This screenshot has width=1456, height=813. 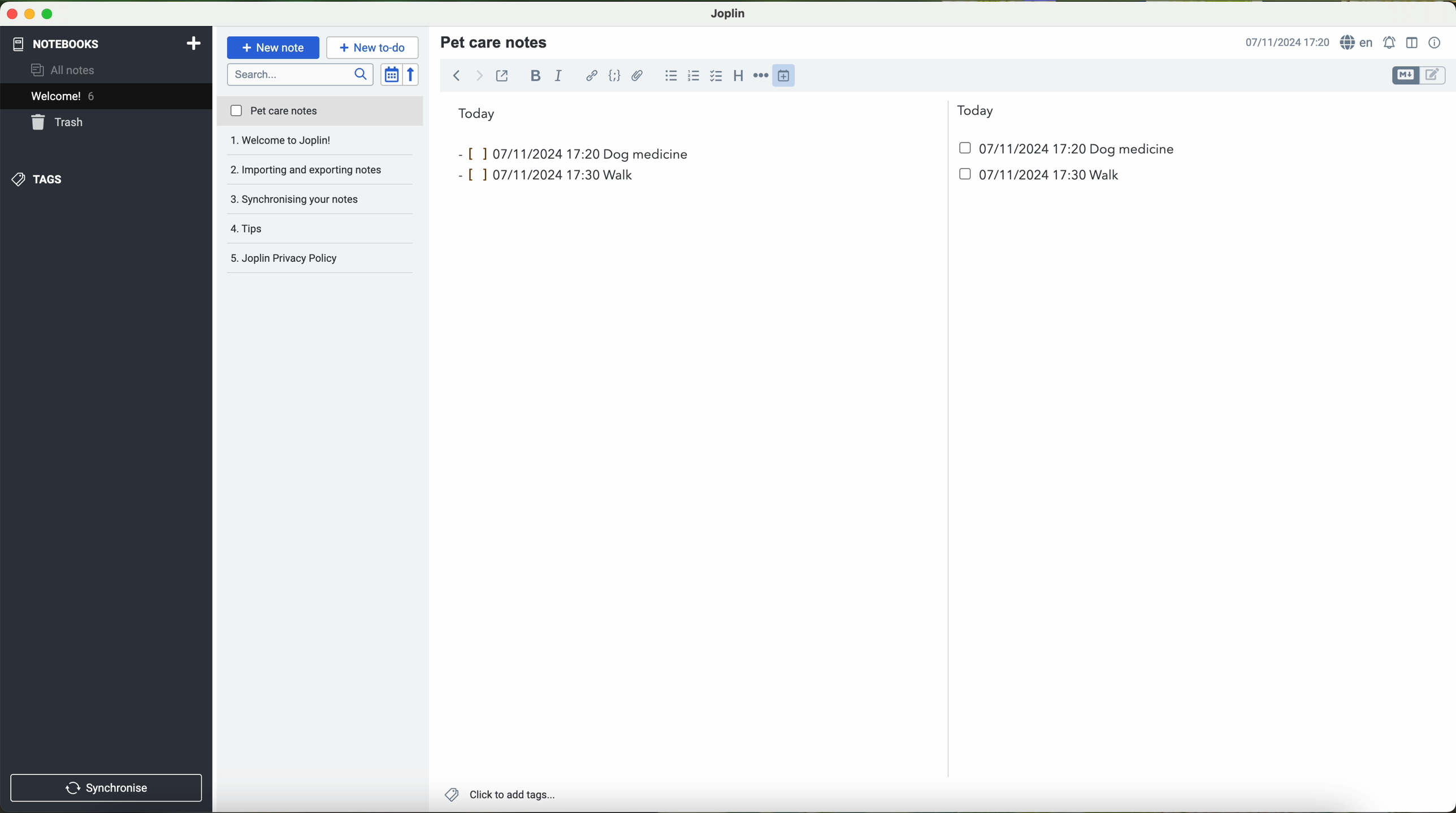 I want to click on Joplin privacy policy, so click(x=321, y=229).